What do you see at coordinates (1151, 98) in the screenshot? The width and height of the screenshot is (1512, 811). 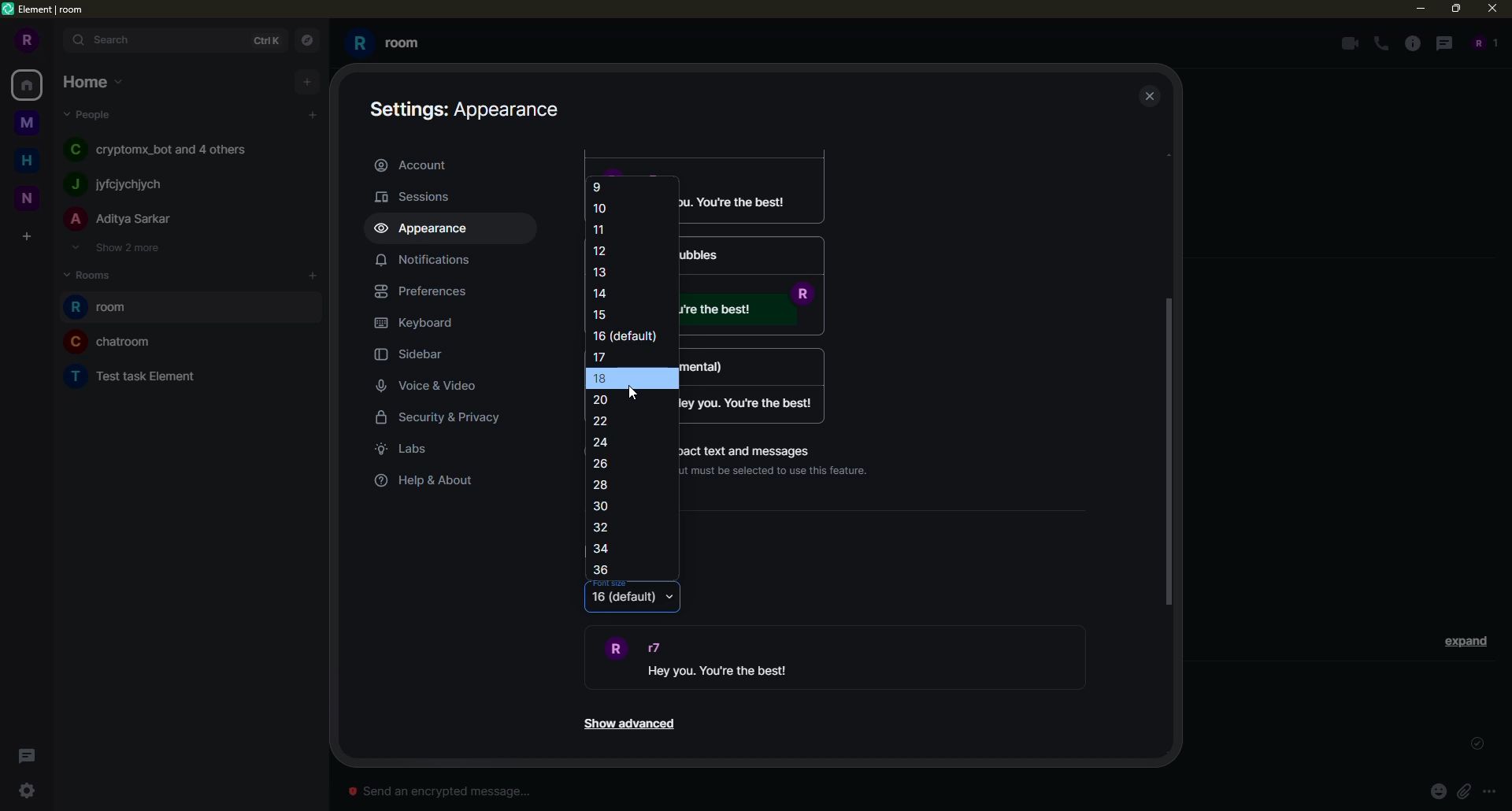 I see `close` at bounding box center [1151, 98].